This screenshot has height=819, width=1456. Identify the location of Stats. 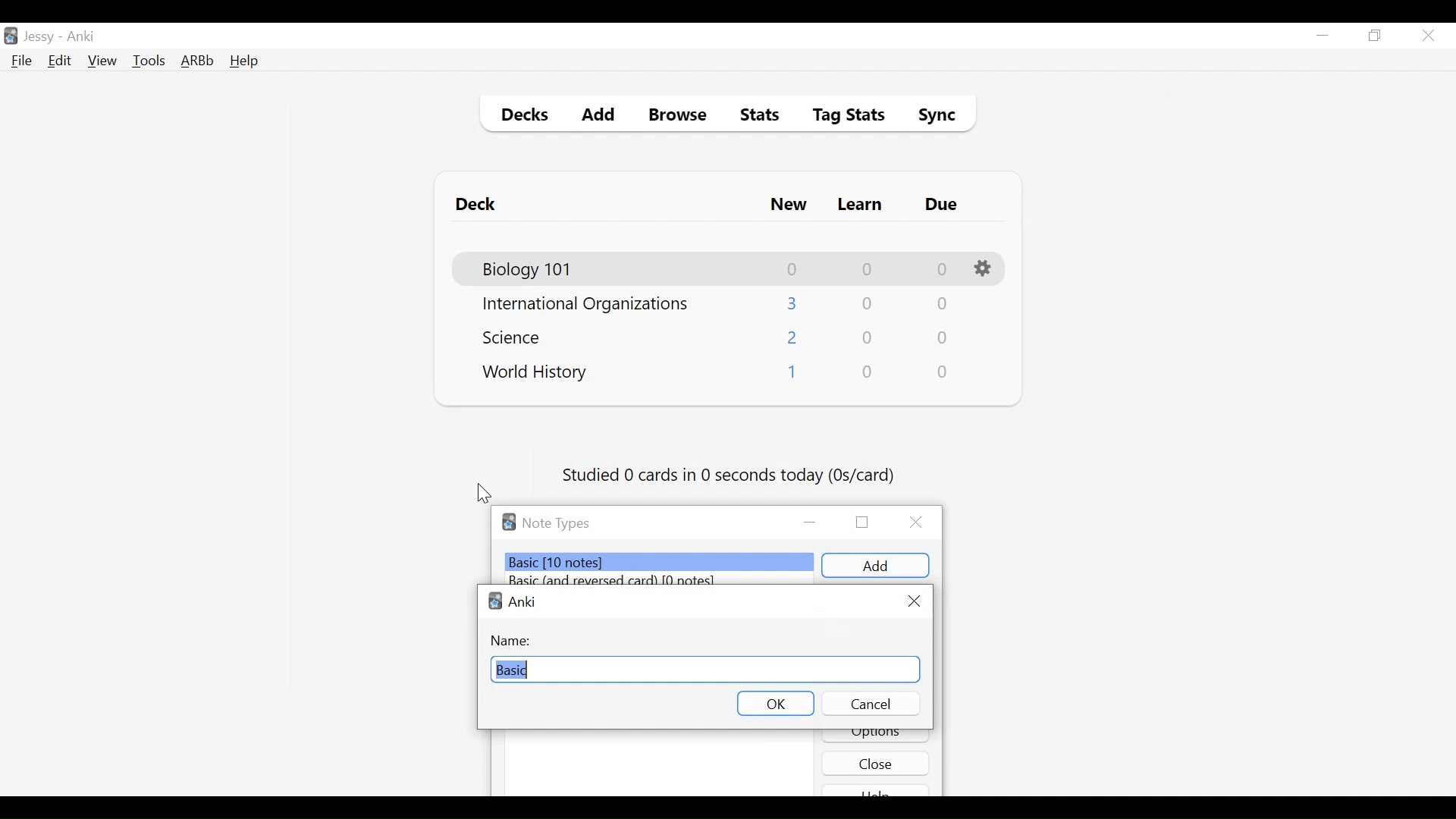
(755, 115).